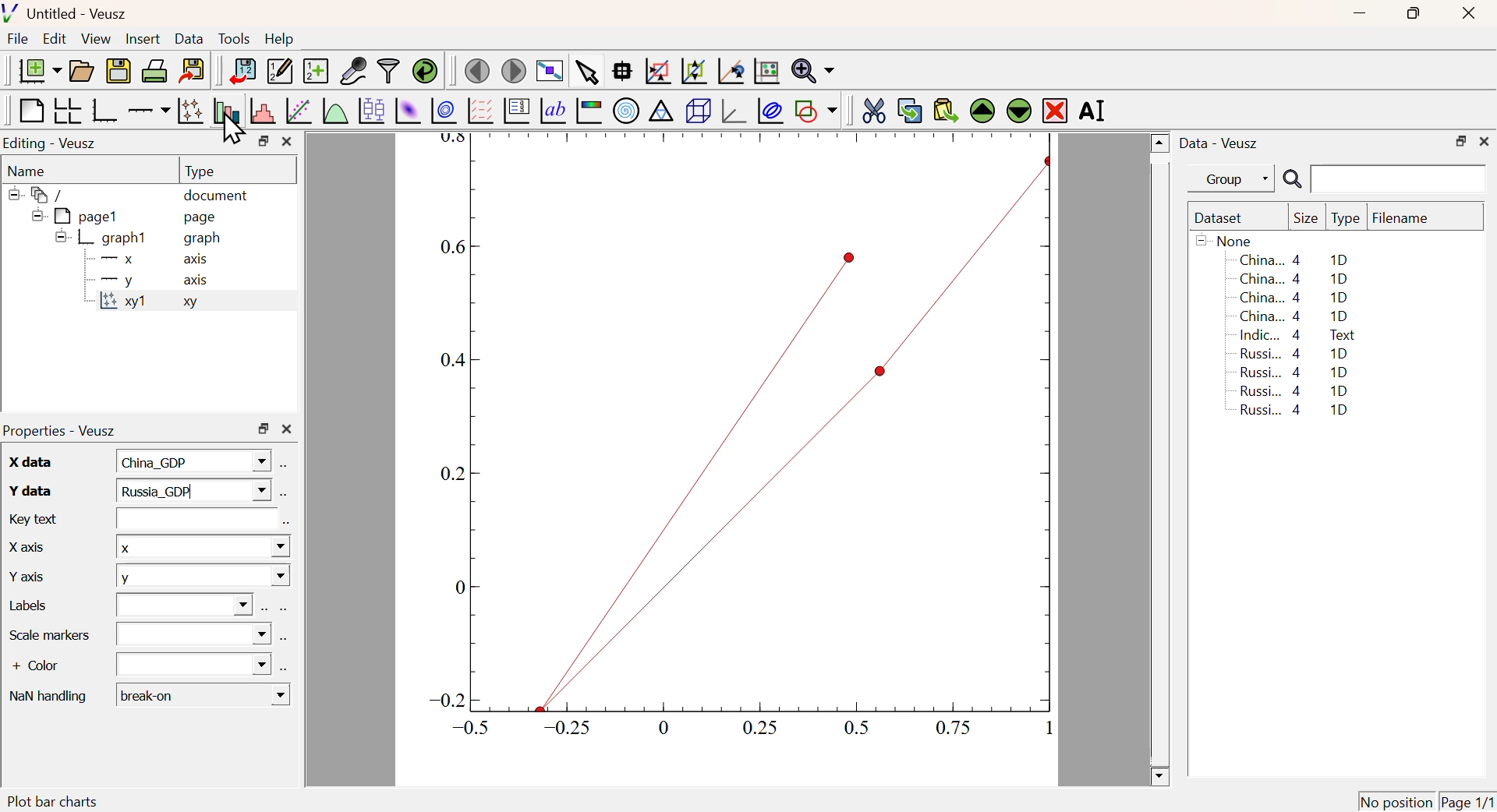 The height and width of the screenshot is (812, 1497). I want to click on X data, so click(27, 460).